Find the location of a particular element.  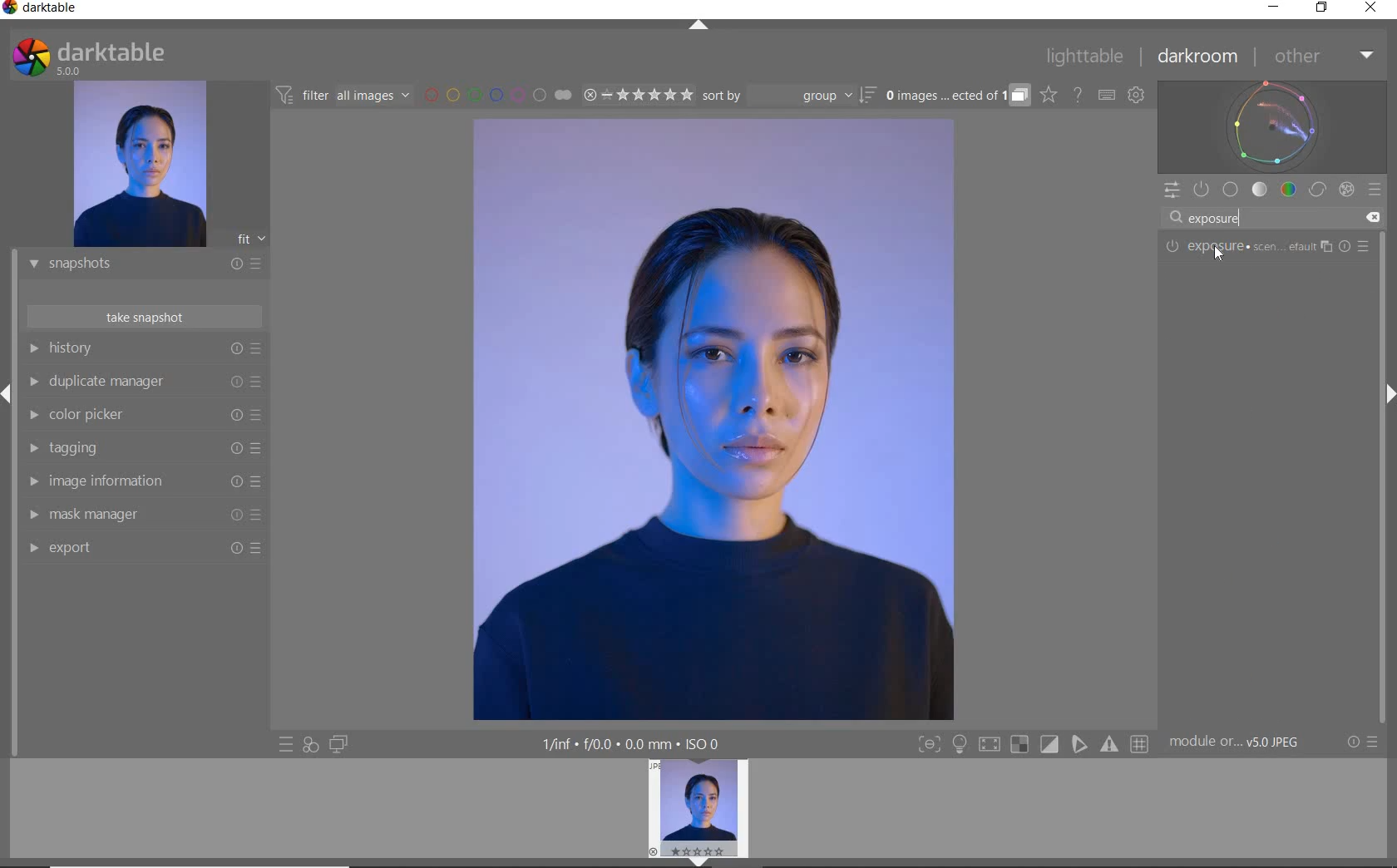

EXPAND/COLLAPSE is located at coordinates (701, 27).